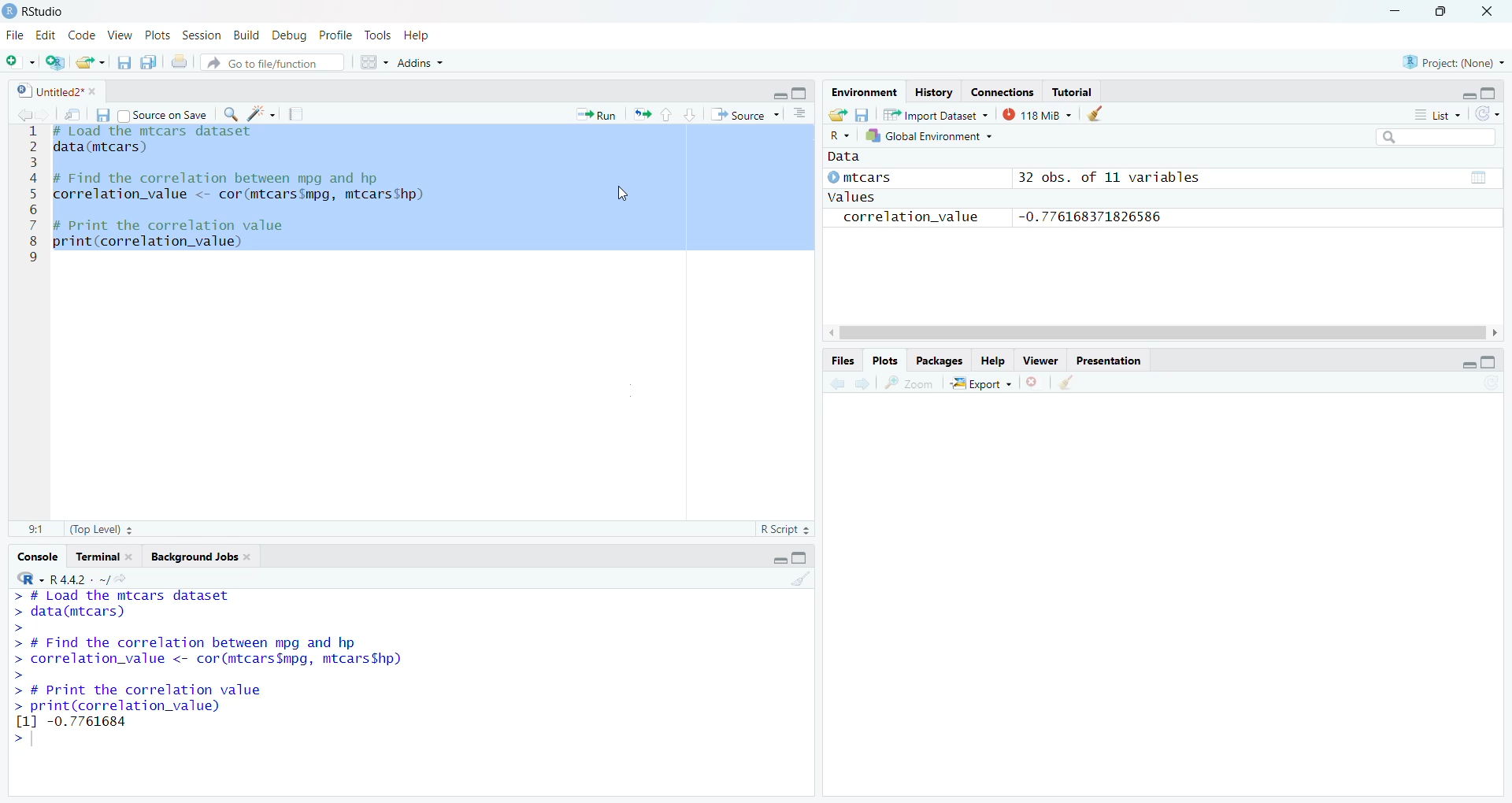 Image resolution: width=1512 pixels, height=803 pixels. Describe the element at coordinates (74, 113) in the screenshot. I see `Show in new window` at that location.